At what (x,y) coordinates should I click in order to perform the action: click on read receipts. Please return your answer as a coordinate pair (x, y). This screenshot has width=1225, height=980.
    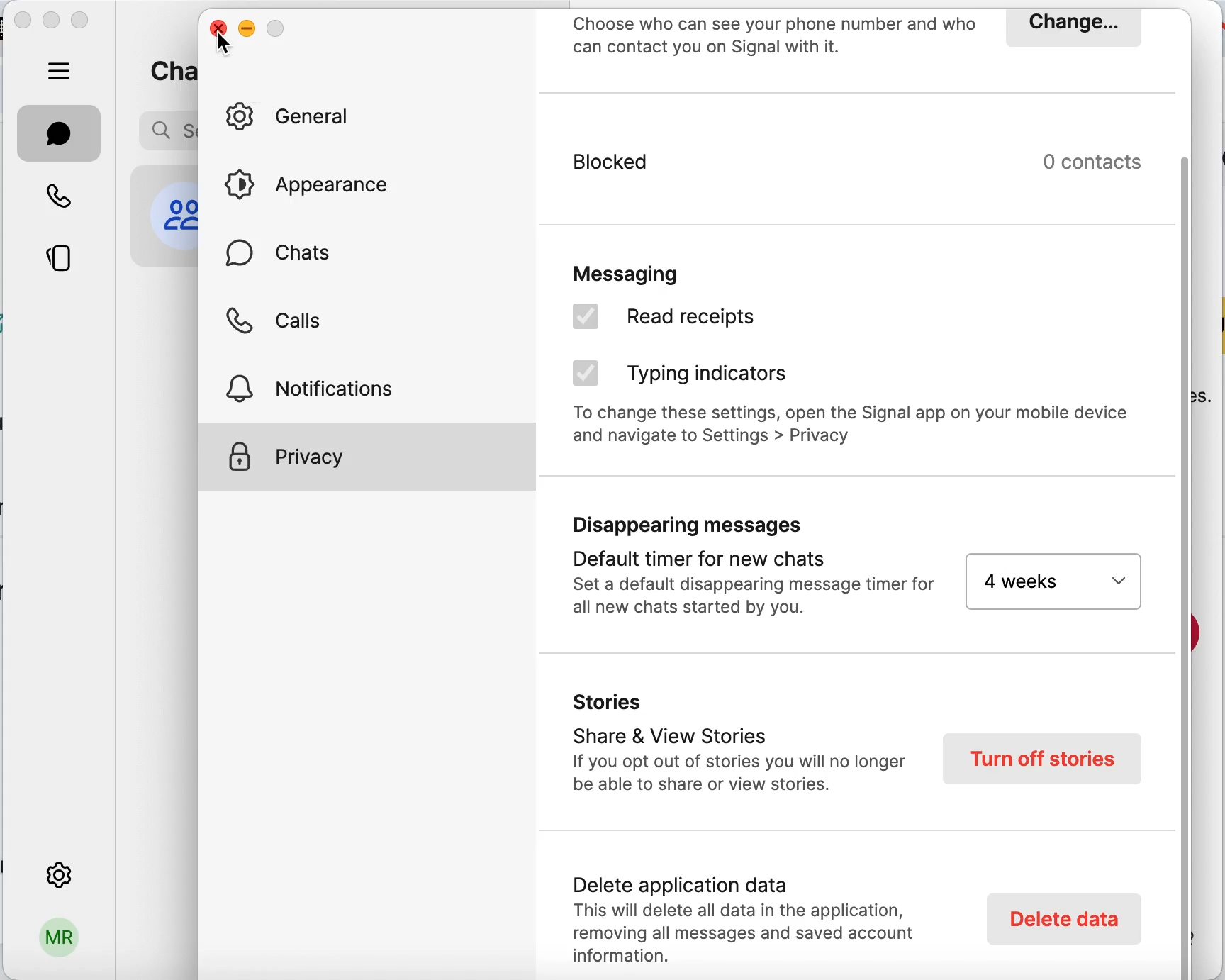
    Looking at the image, I should click on (715, 321).